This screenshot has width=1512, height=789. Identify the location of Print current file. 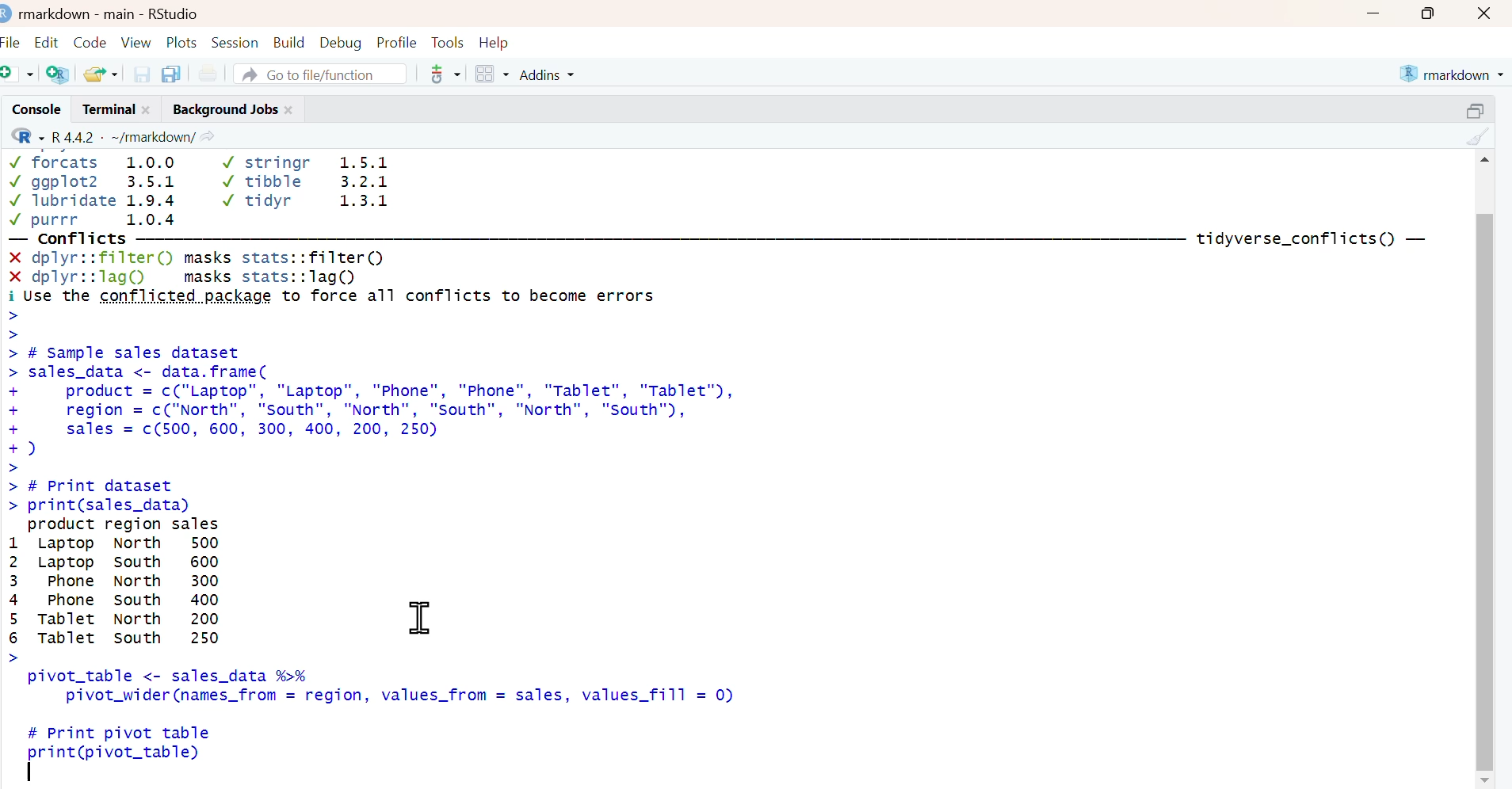
(208, 73).